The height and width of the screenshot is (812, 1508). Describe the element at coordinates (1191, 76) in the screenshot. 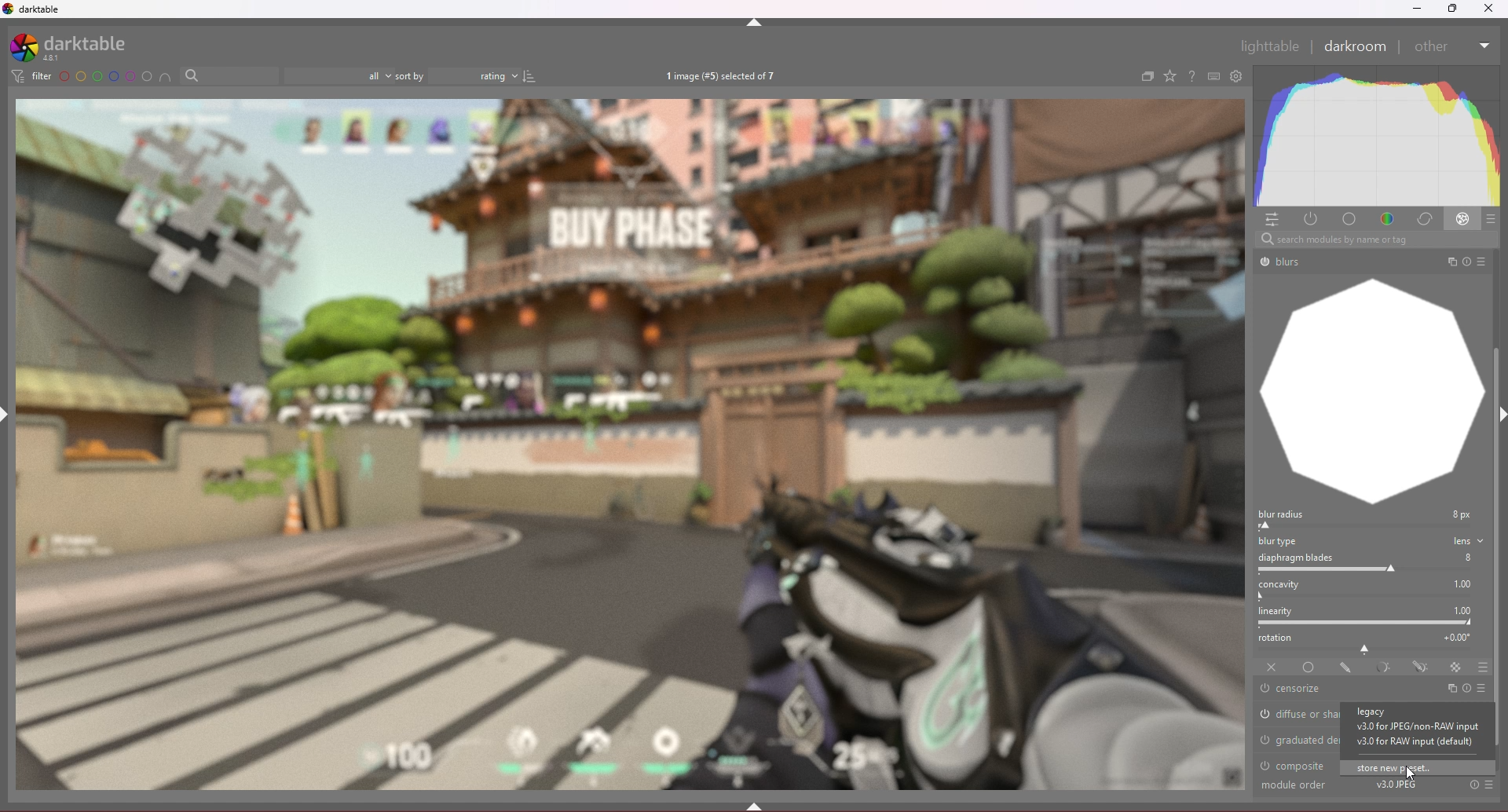

I see `help` at that location.